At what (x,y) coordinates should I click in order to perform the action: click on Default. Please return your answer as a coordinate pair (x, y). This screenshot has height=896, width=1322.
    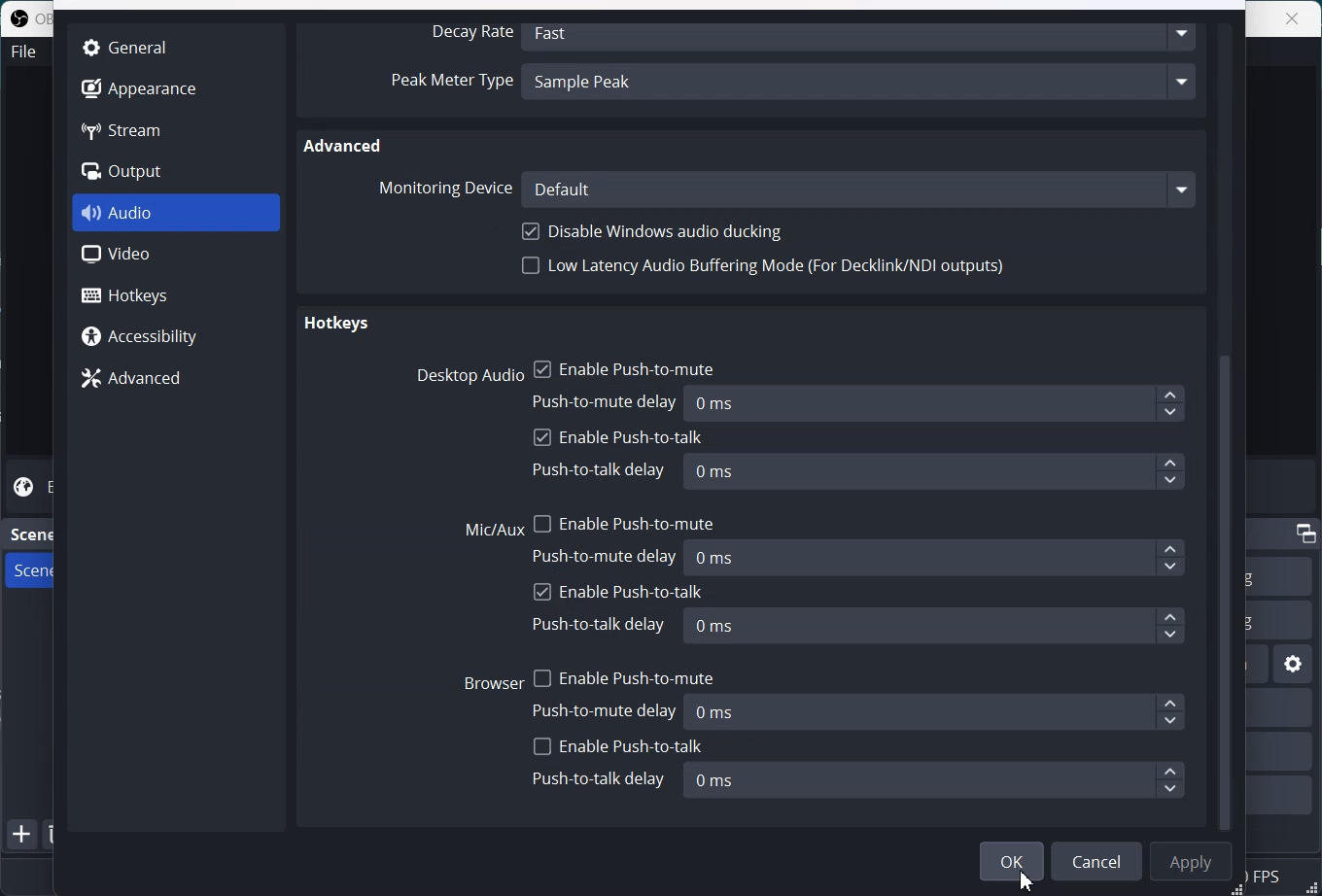
    Looking at the image, I should click on (859, 189).